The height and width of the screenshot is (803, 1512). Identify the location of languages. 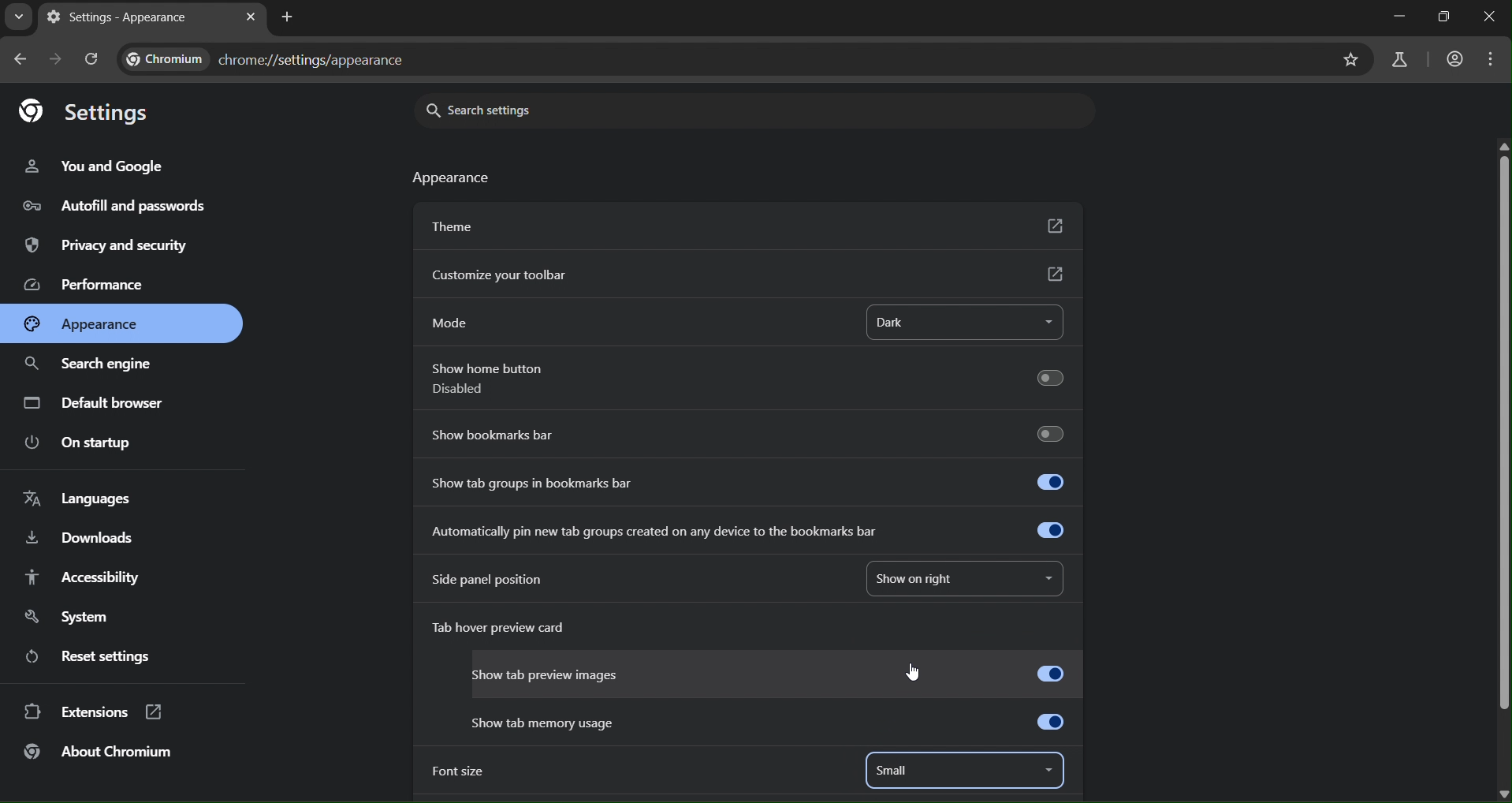
(76, 497).